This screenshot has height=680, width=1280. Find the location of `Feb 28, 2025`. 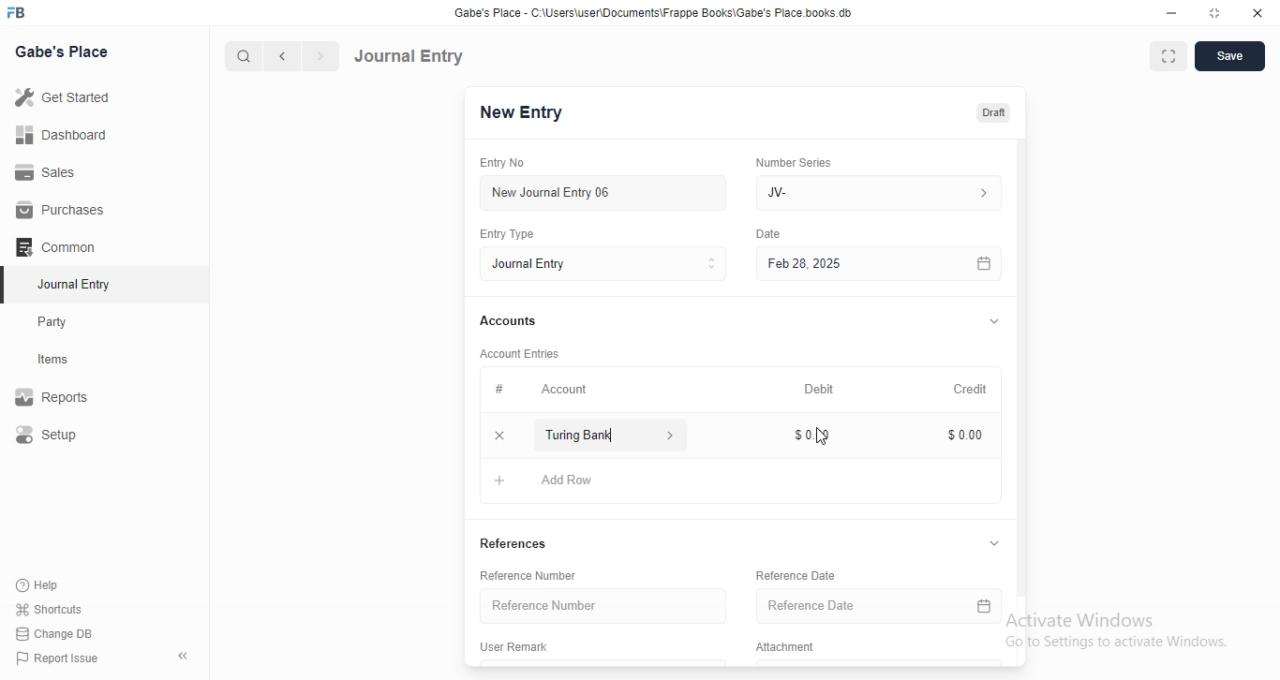

Feb 28, 2025 is located at coordinates (860, 263).